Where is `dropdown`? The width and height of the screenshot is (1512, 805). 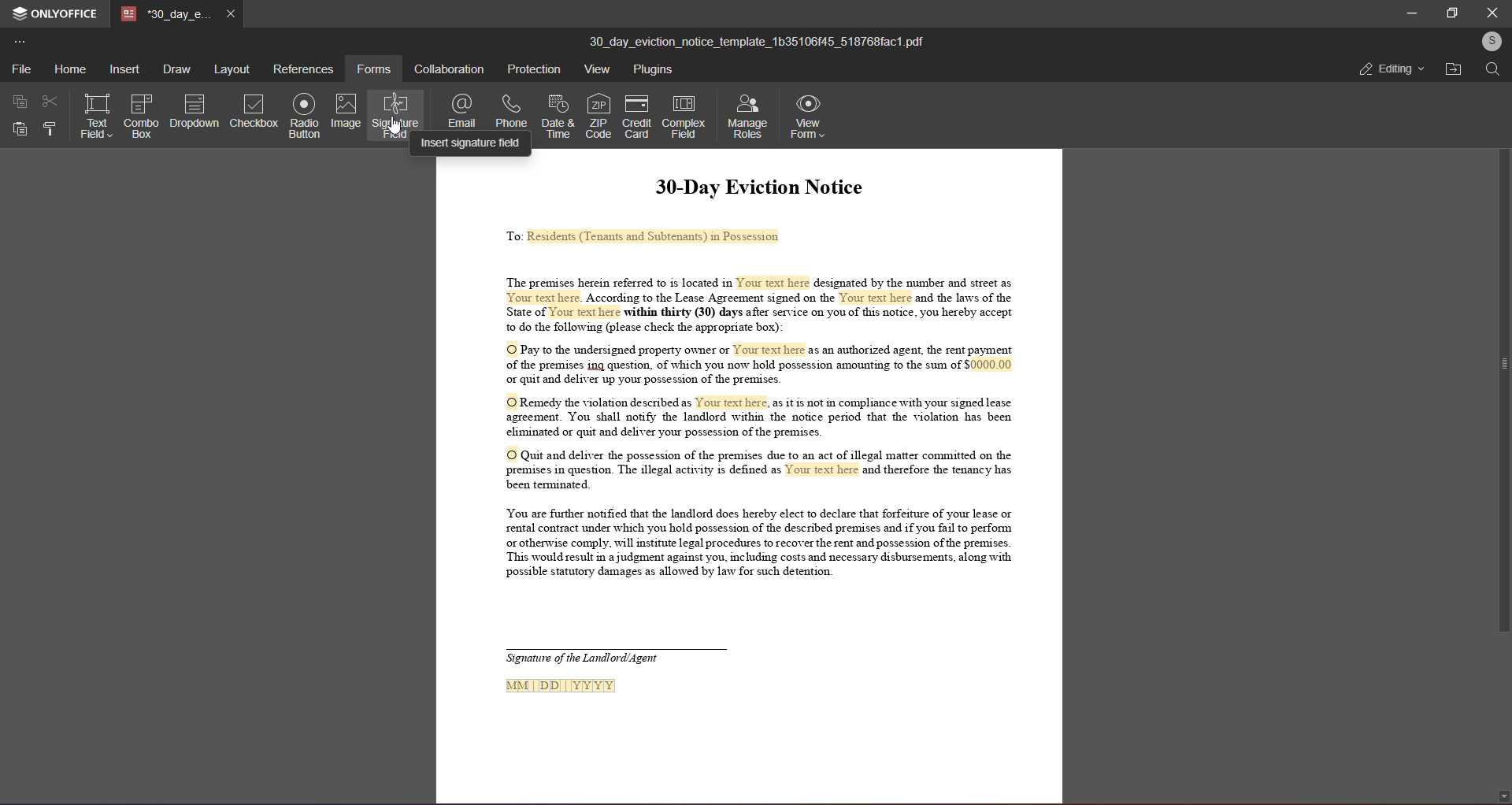 dropdown is located at coordinates (194, 110).